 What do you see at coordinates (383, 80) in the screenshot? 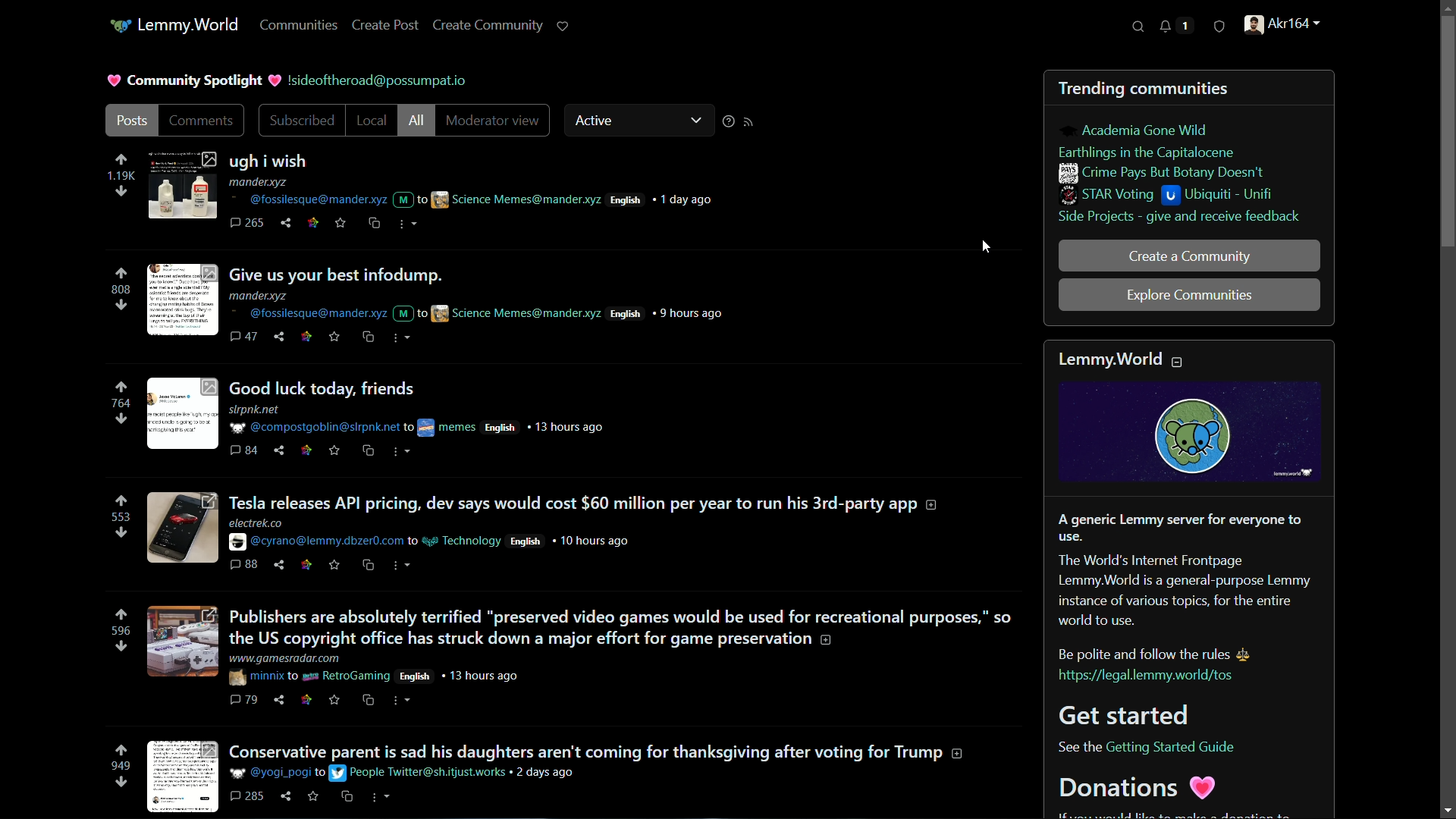
I see `!sideoftheroad@possumpat.io` at bounding box center [383, 80].